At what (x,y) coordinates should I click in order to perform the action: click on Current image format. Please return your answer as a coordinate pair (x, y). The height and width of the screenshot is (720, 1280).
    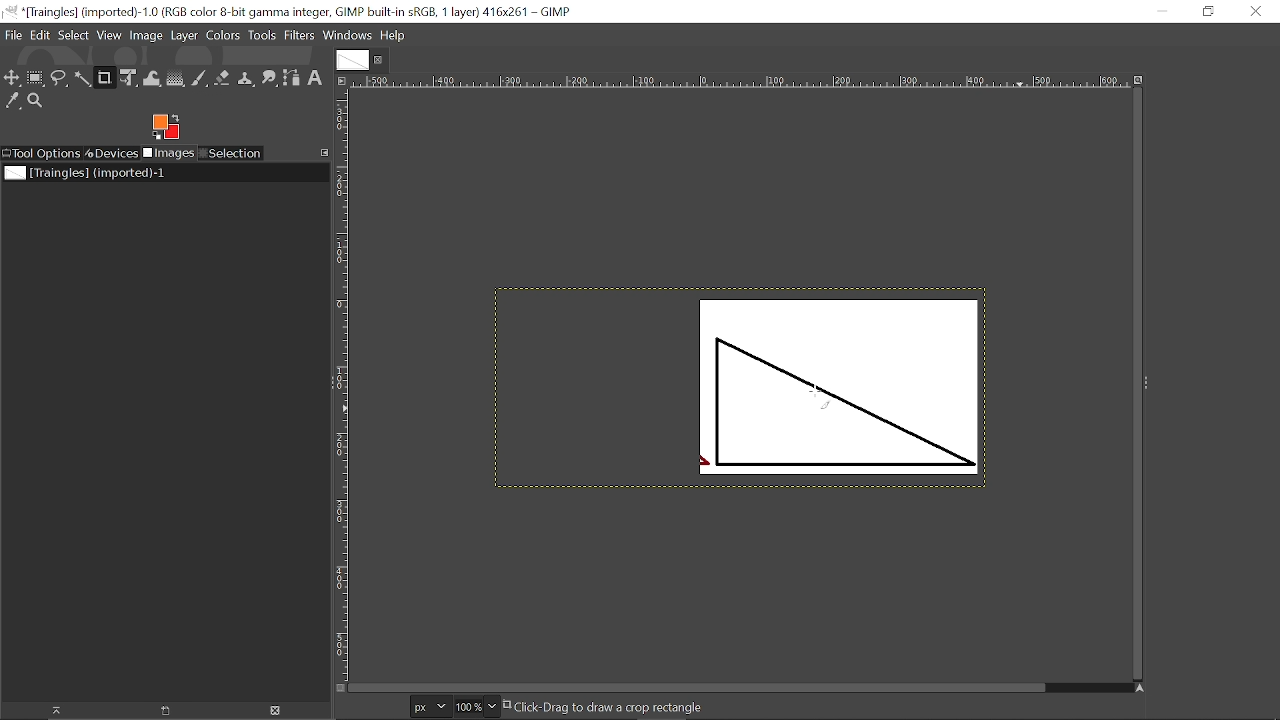
    Looking at the image, I should click on (427, 706).